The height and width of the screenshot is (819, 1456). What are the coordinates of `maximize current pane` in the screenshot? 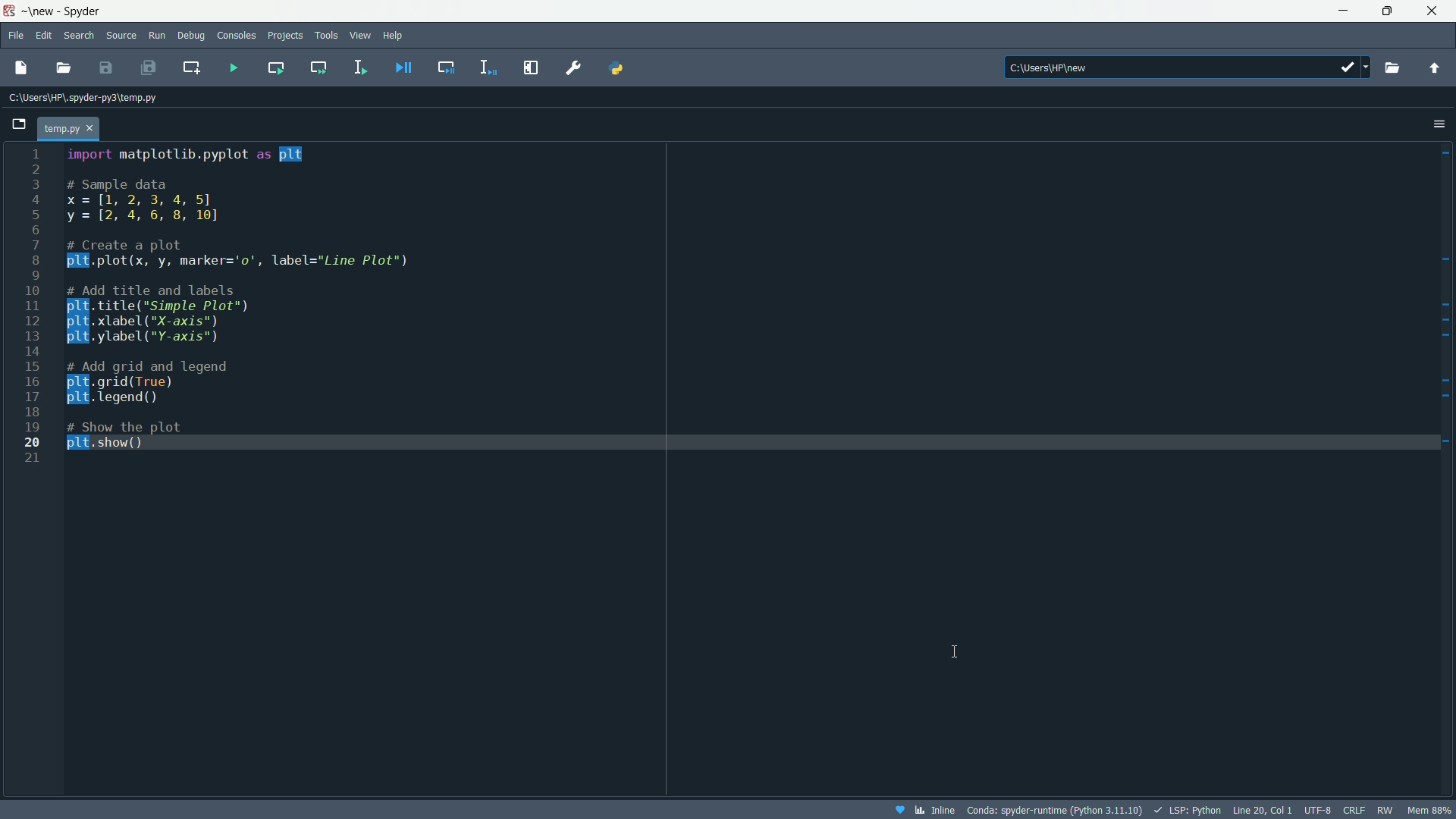 It's located at (532, 67).